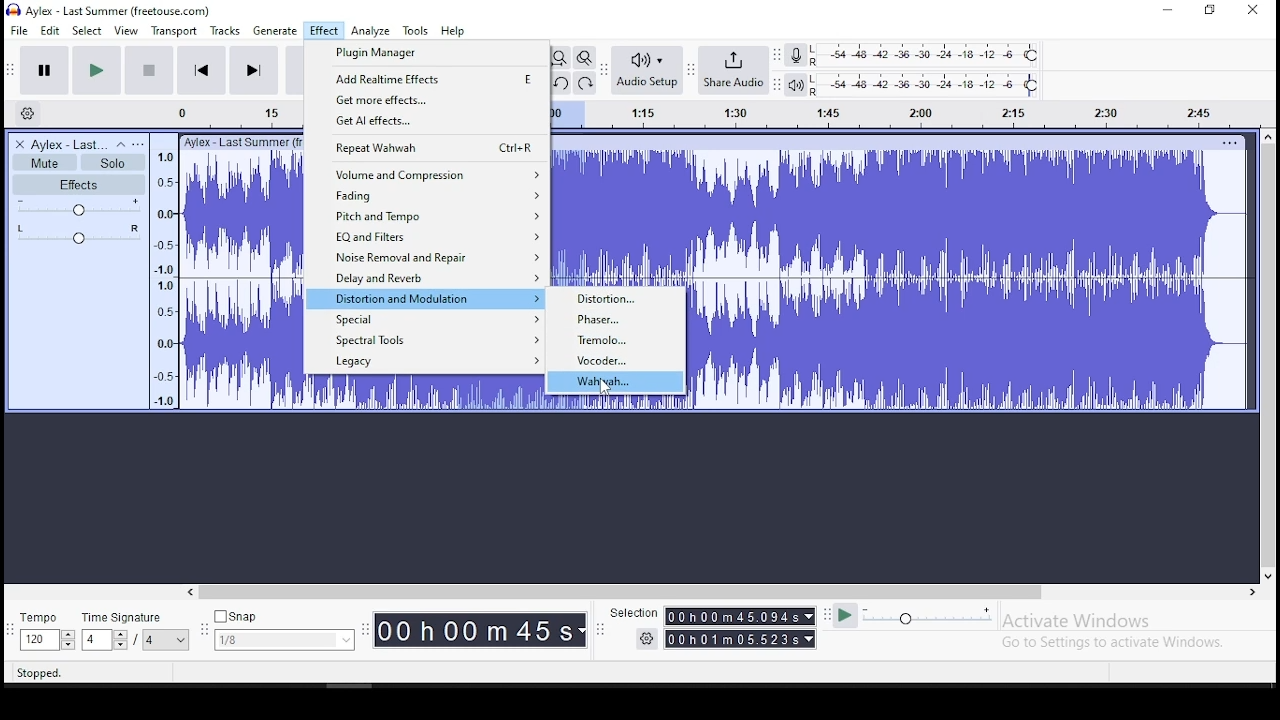 The height and width of the screenshot is (720, 1280). What do you see at coordinates (618, 341) in the screenshot?
I see `tremolo` at bounding box center [618, 341].